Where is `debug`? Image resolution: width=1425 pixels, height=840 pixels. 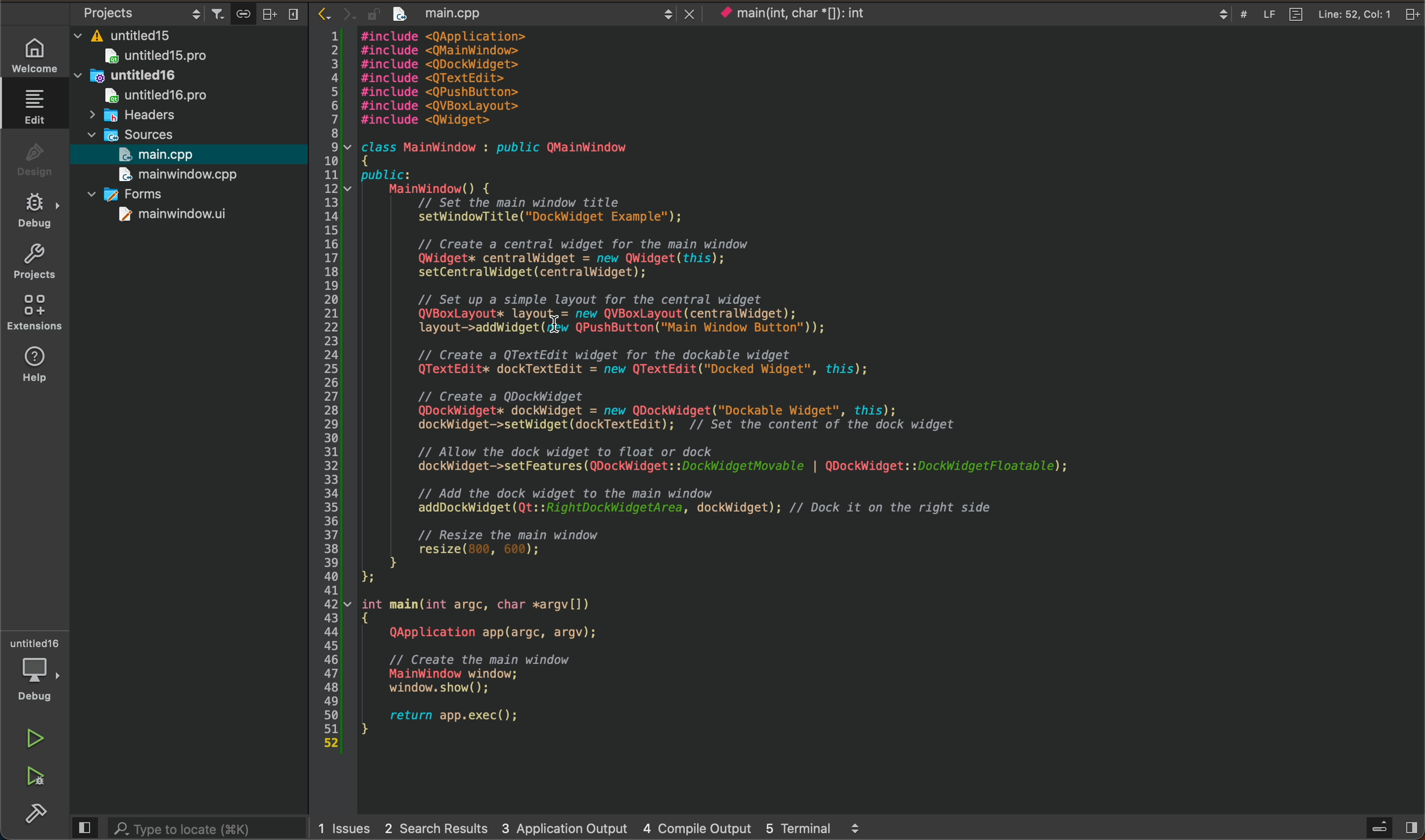
debug is located at coordinates (37, 209).